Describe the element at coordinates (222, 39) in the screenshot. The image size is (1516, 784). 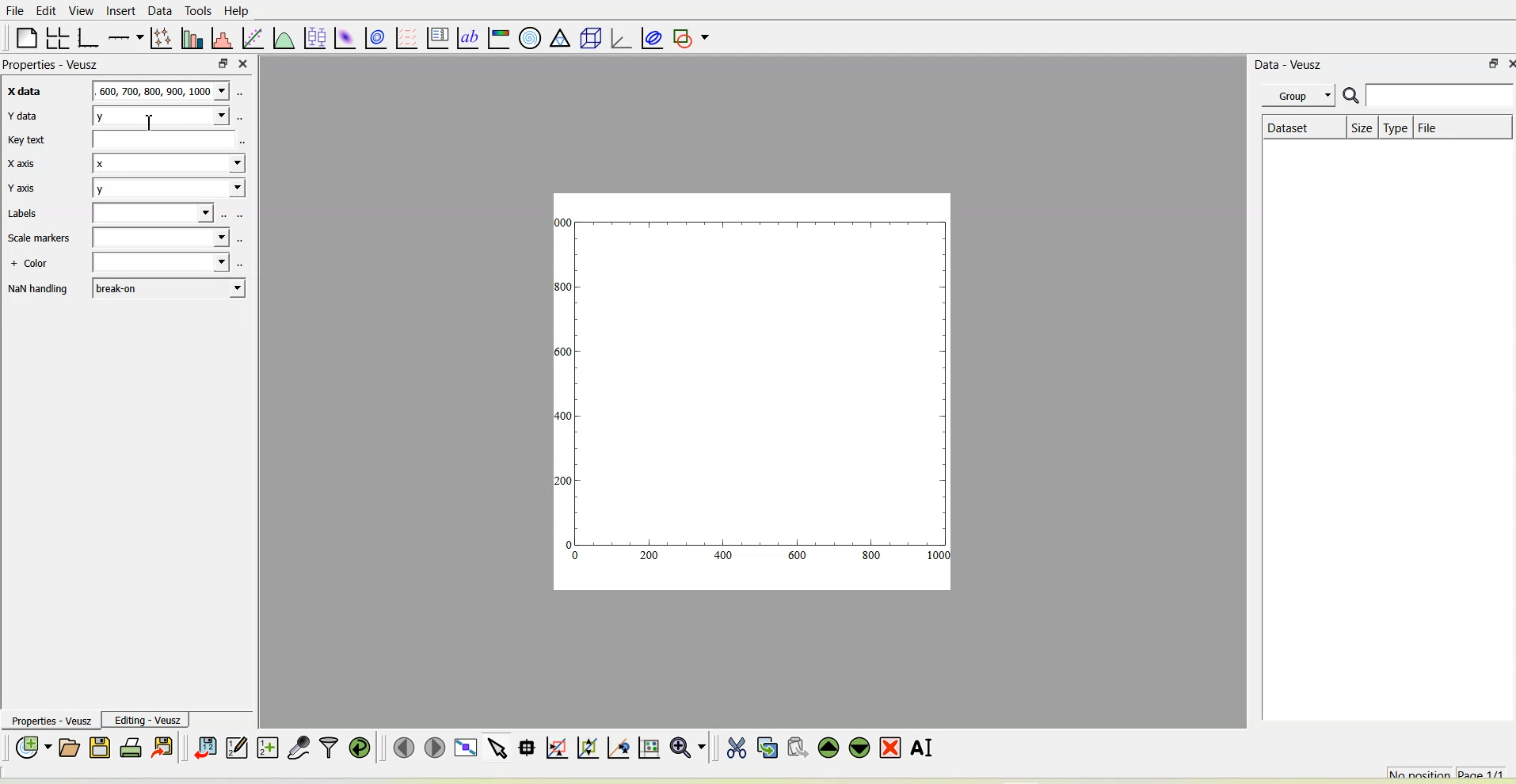
I see `Histogram of a dataset` at that location.